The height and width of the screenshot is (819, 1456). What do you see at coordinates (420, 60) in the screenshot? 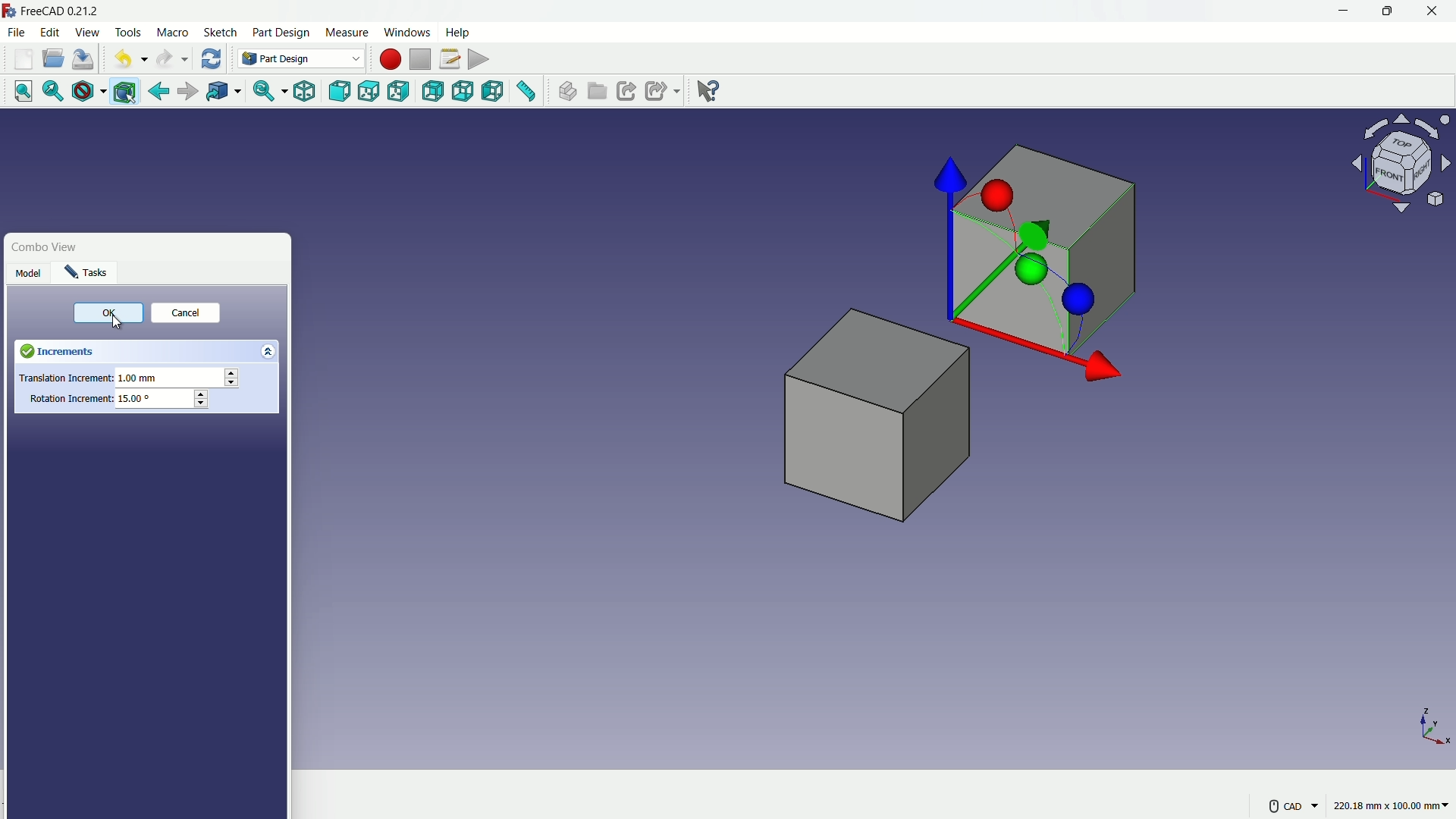
I see `stop macros` at bounding box center [420, 60].